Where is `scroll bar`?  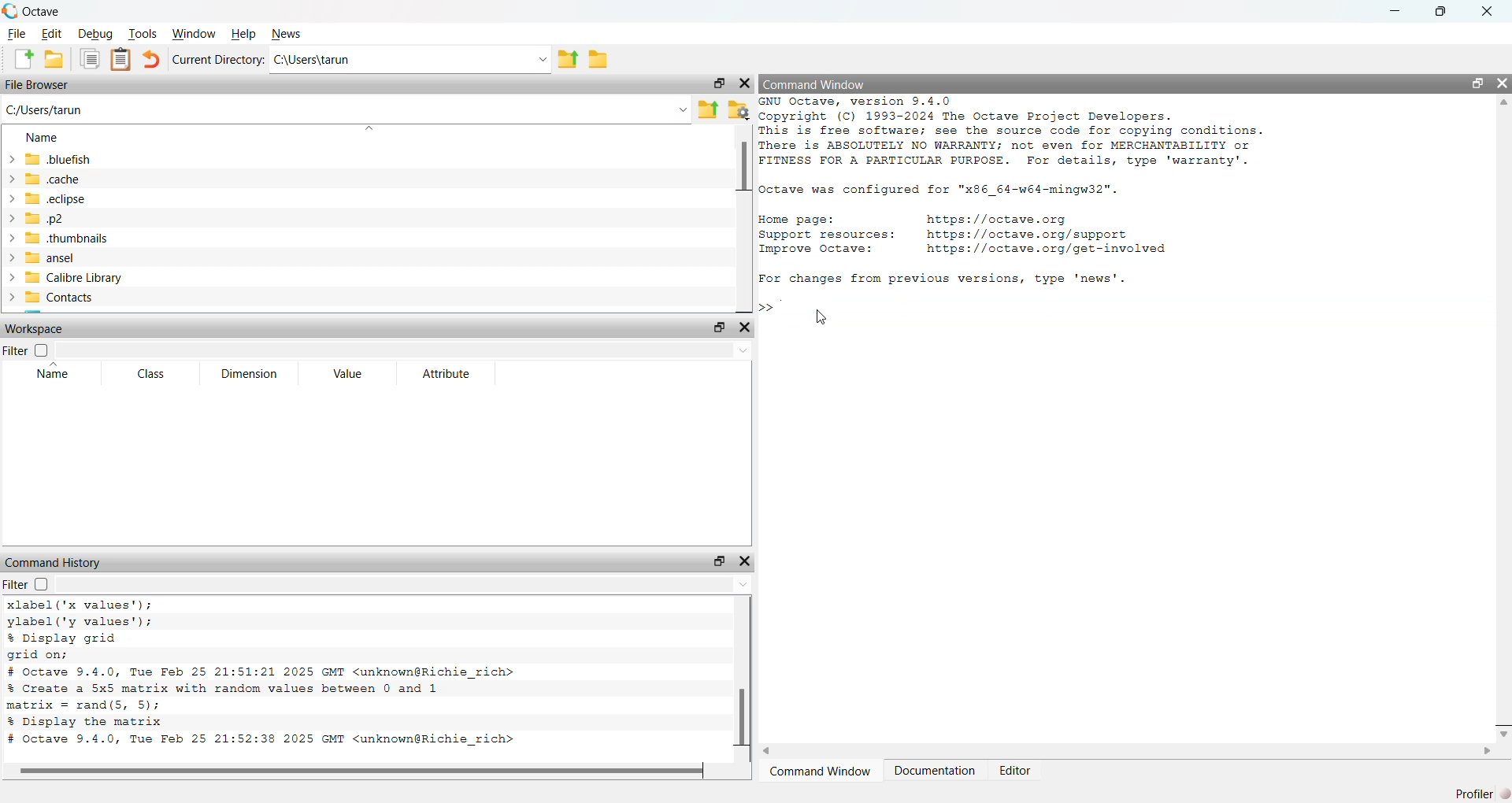
scroll bar is located at coordinates (739, 676).